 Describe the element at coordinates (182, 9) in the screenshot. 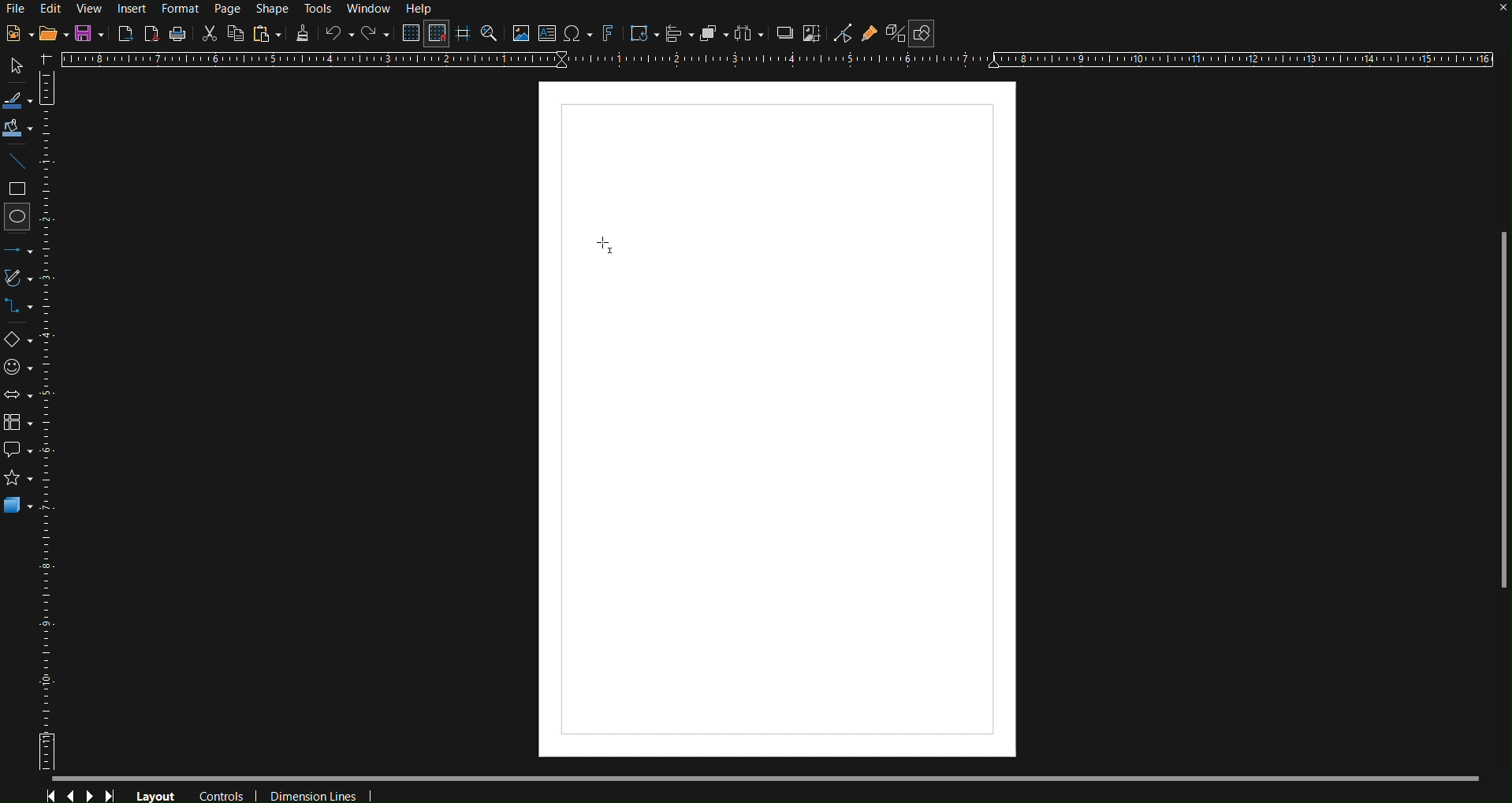

I see `Format` at that location.